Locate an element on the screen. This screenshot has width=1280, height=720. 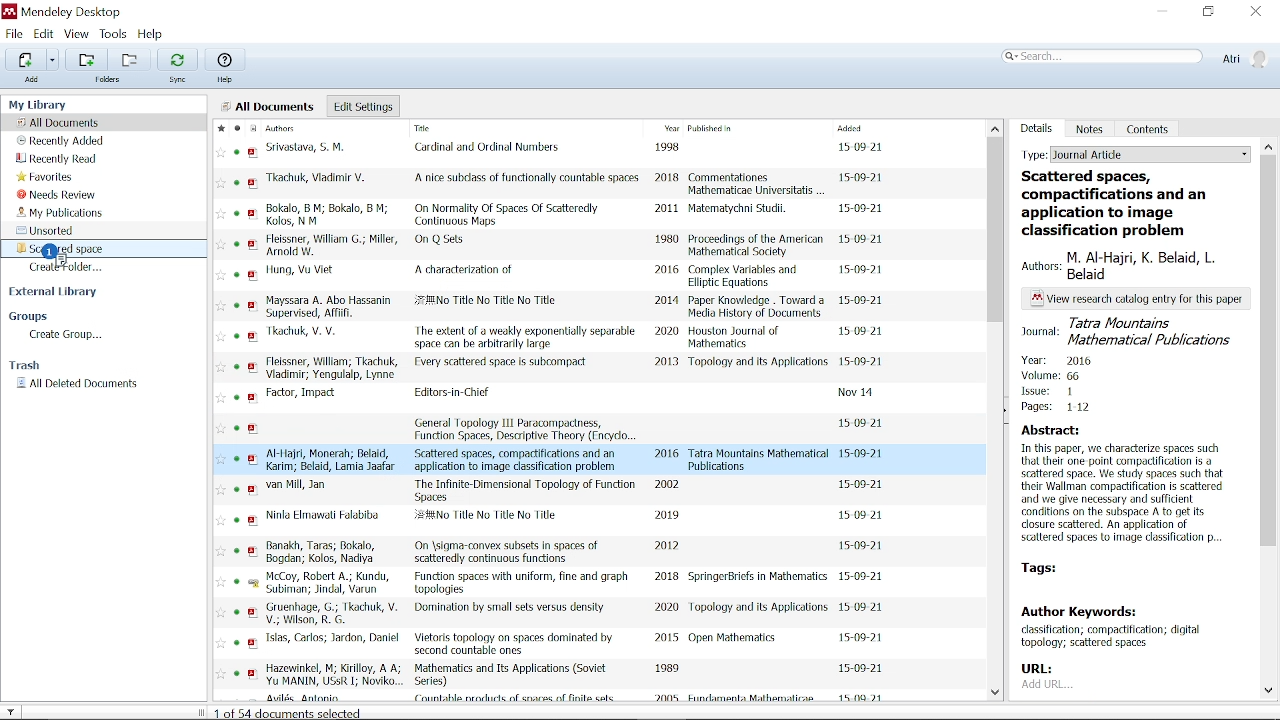
Tools is located at coordinates (114, 34).